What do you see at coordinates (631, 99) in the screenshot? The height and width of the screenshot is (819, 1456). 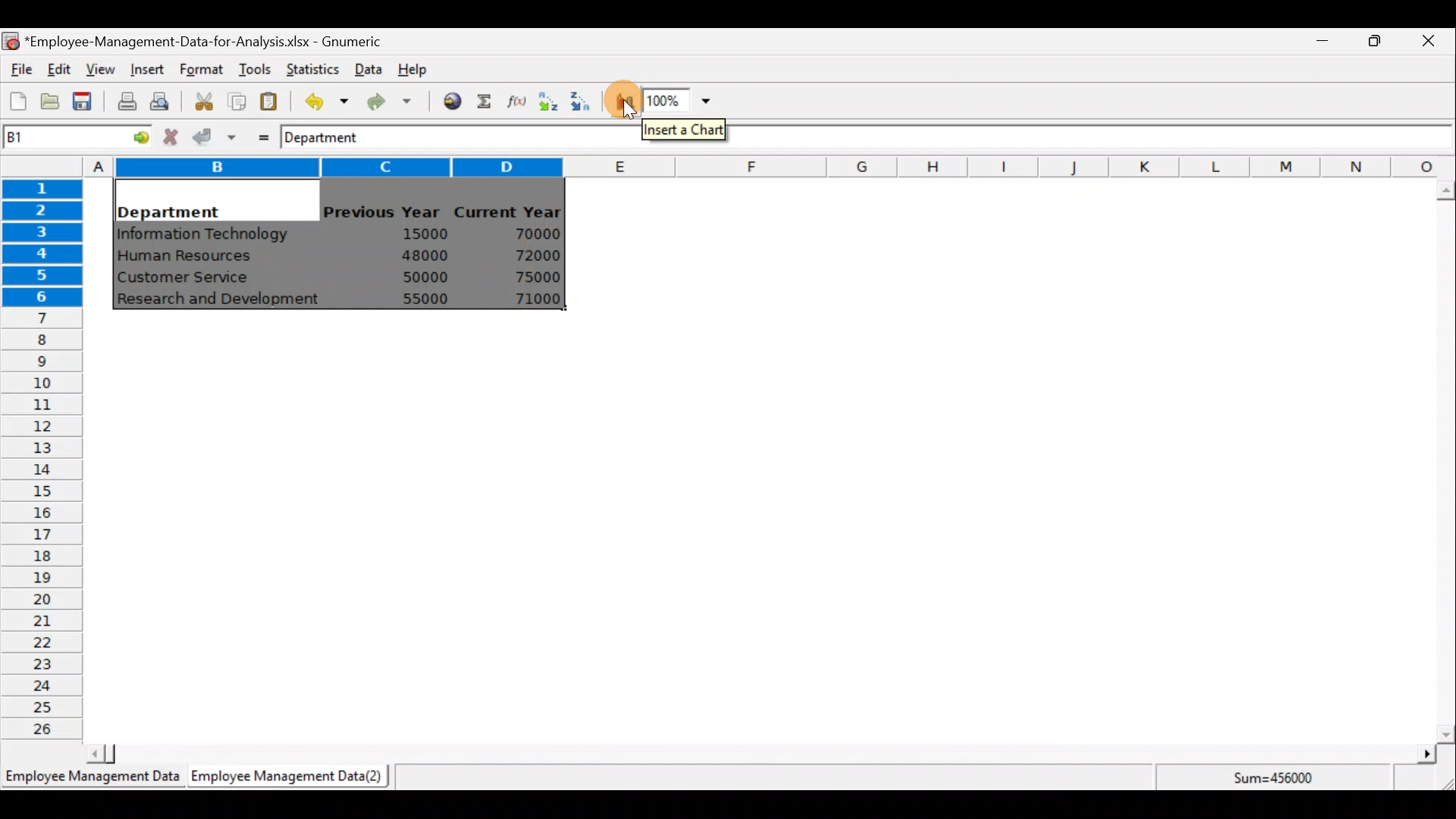 I see `Cursor on insert chart` at bounding box center [631, 99].